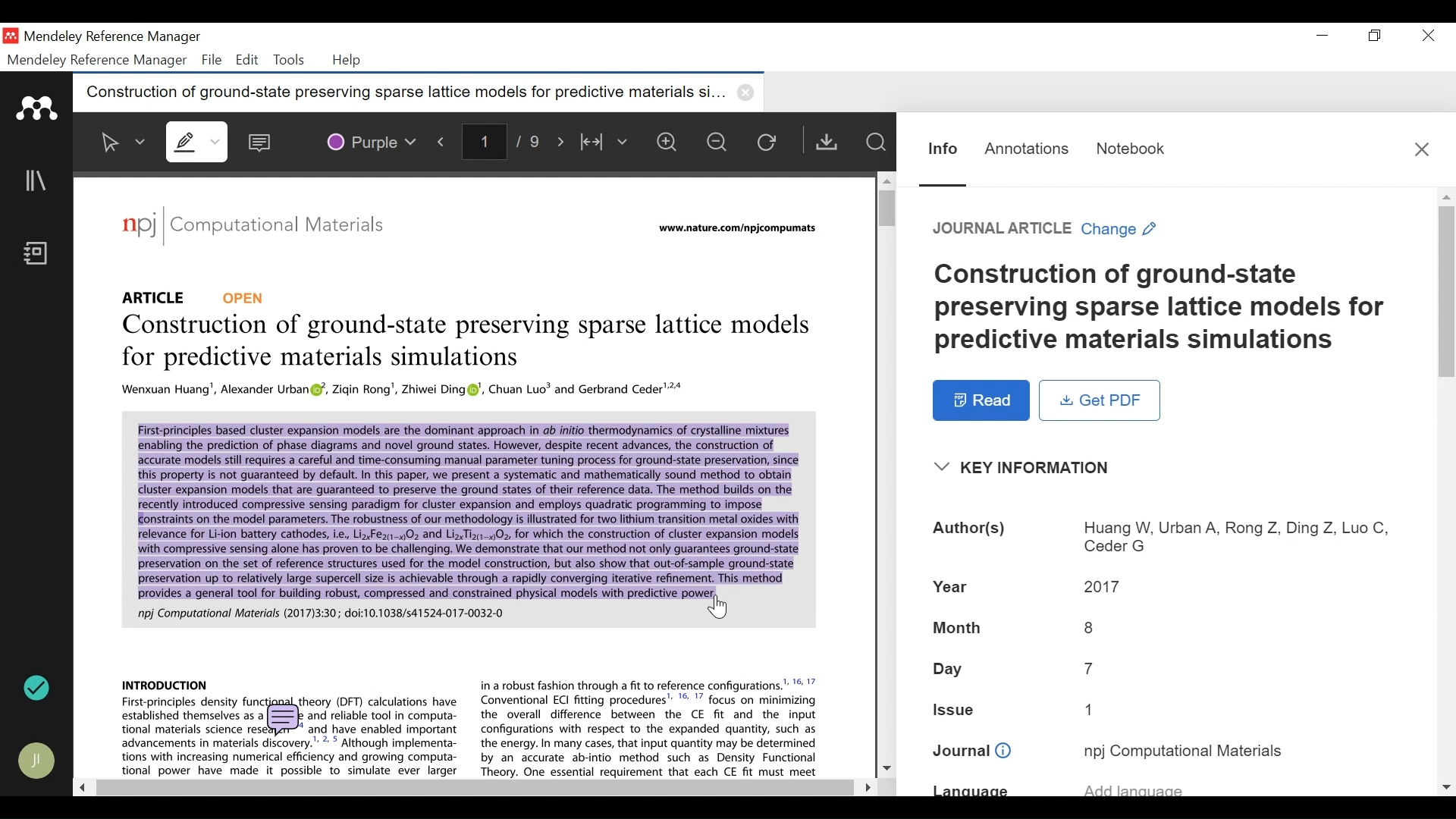  I want to click on Scroll down, so click(886, 766).